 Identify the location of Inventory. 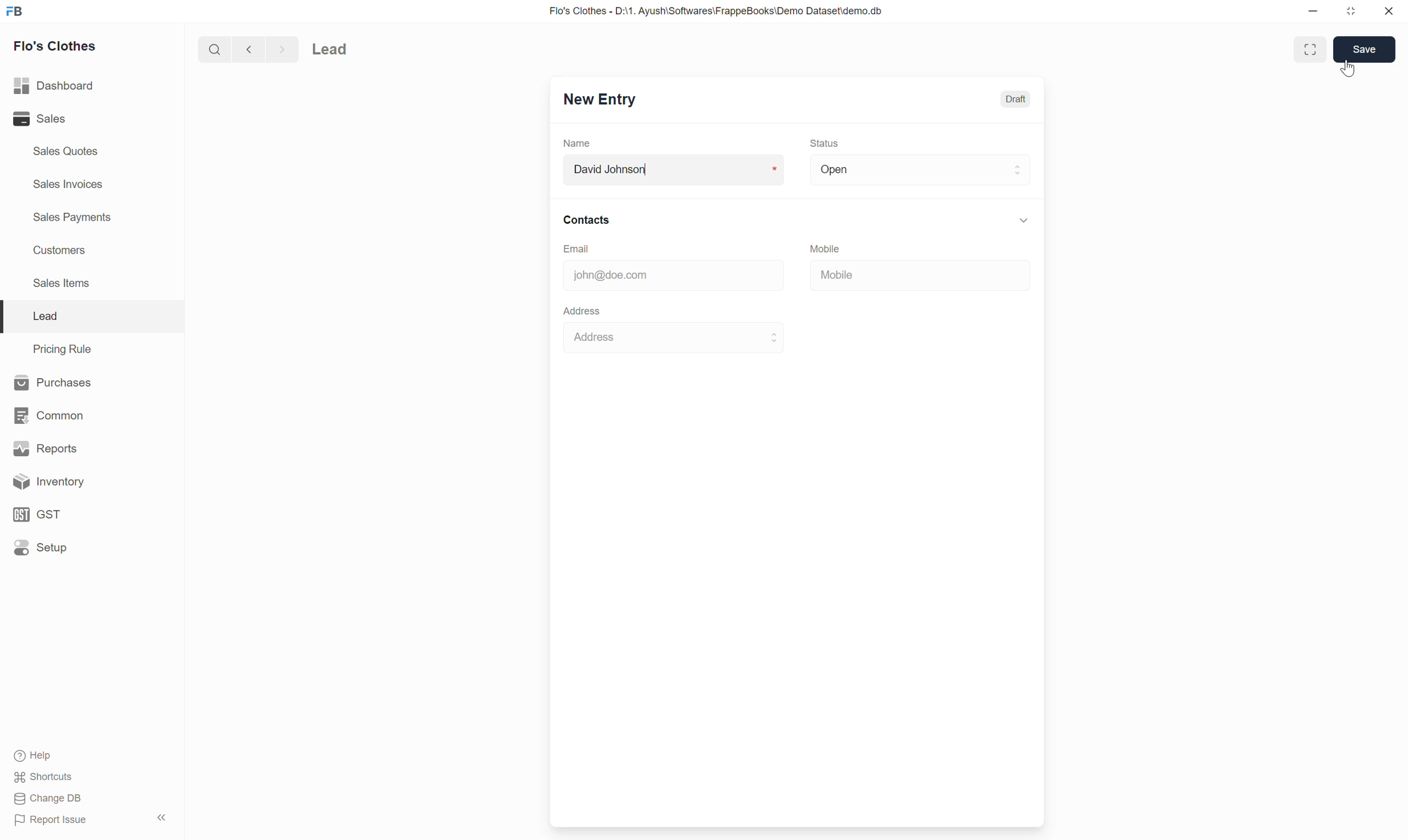
(45, 482).